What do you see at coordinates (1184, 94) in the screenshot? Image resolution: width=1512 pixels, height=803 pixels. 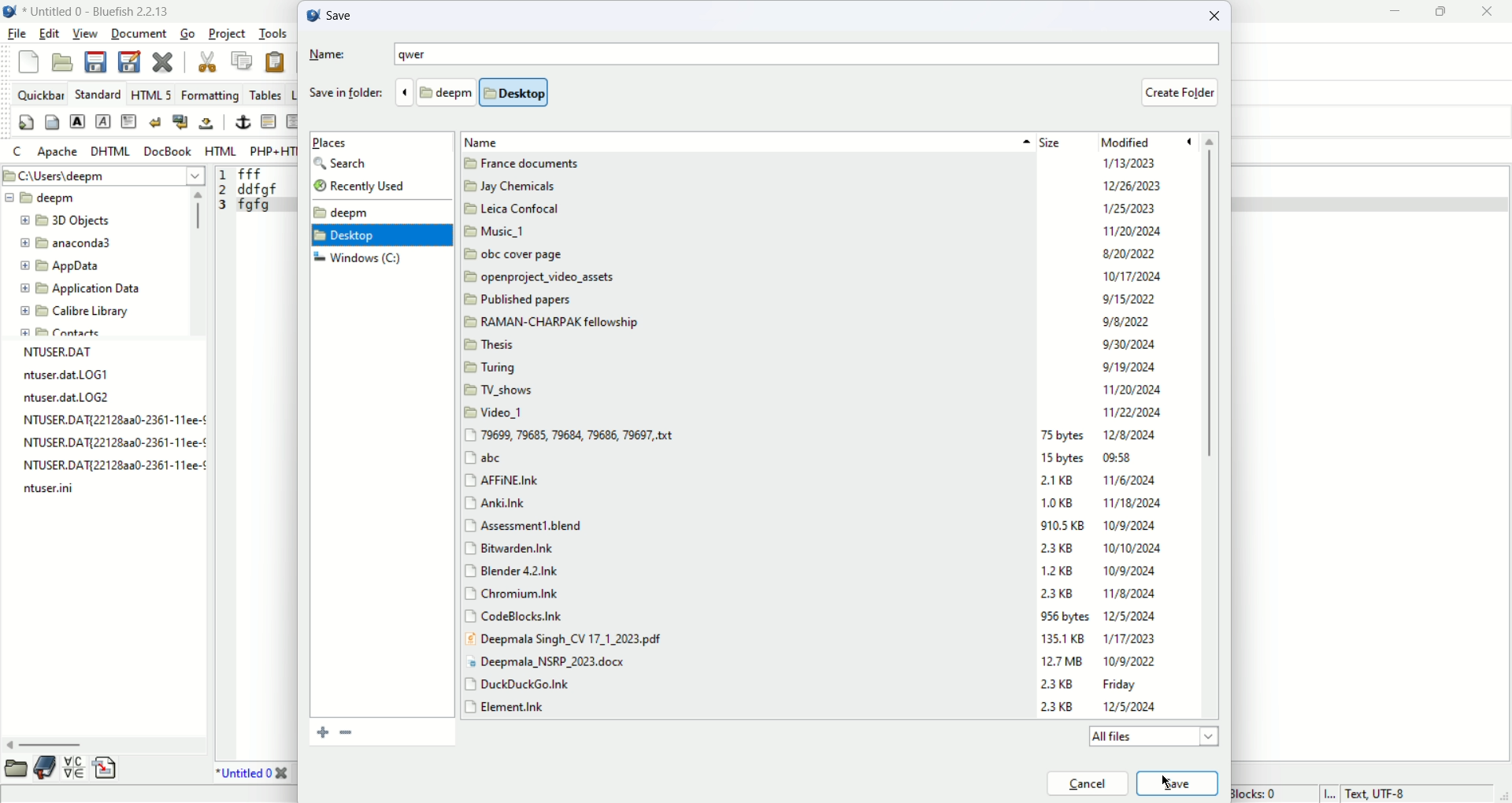 I see `create folder` at bounding box center [1184, 94].